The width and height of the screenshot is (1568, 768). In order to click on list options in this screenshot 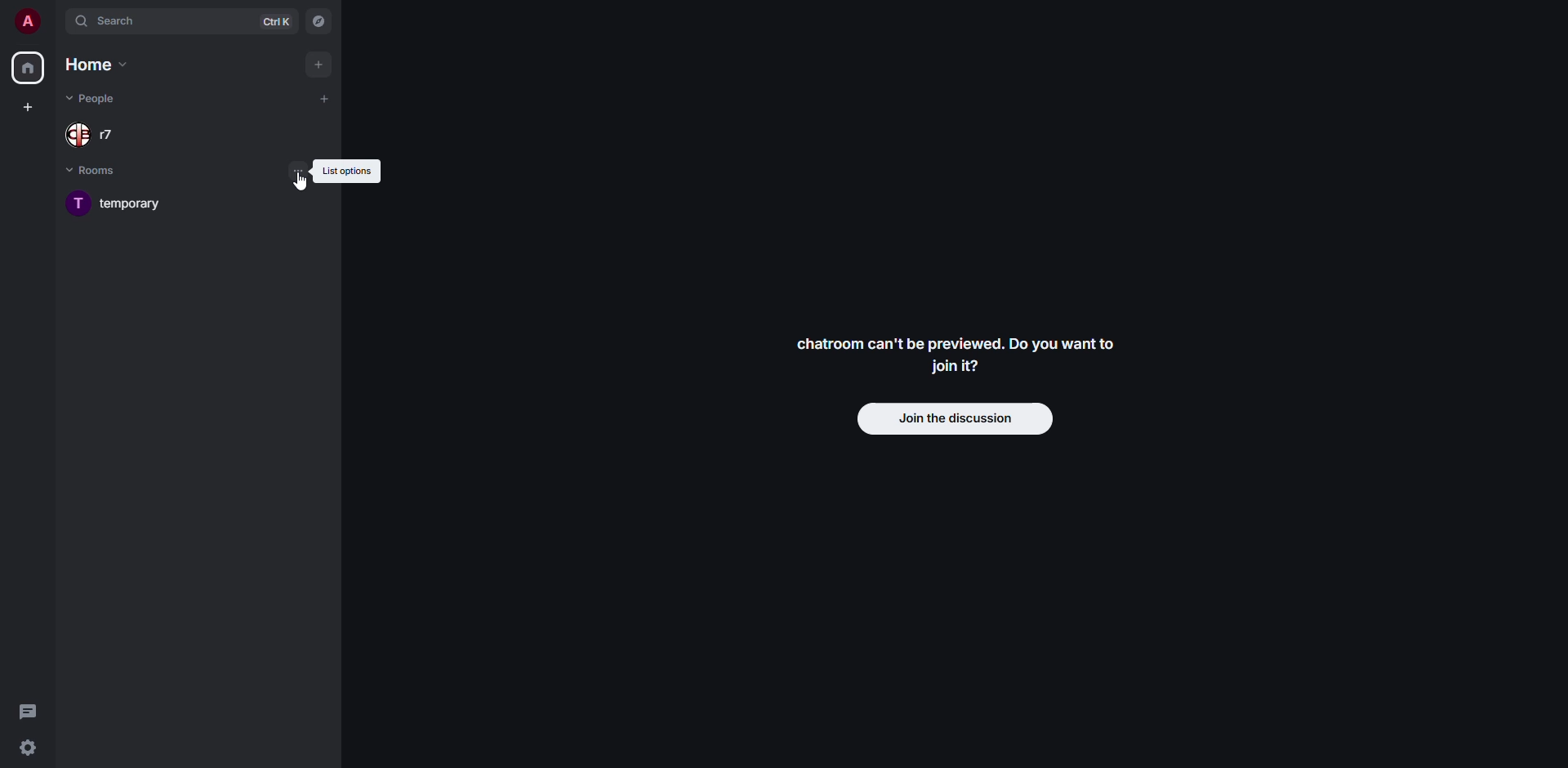, I will do `click(348, 171)`.